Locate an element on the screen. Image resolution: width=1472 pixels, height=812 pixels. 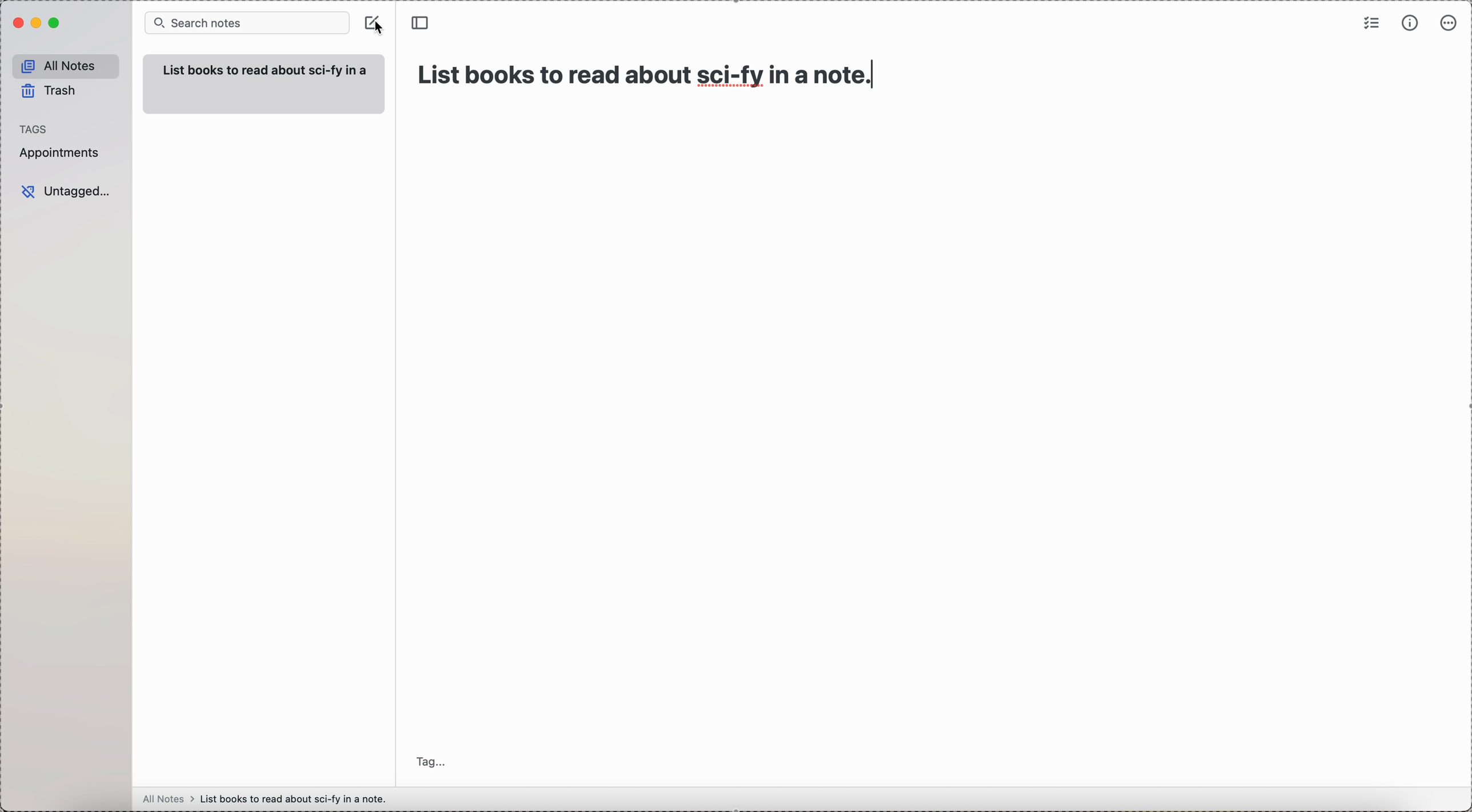
all notes > new note... is located at coordinates (270, 798).